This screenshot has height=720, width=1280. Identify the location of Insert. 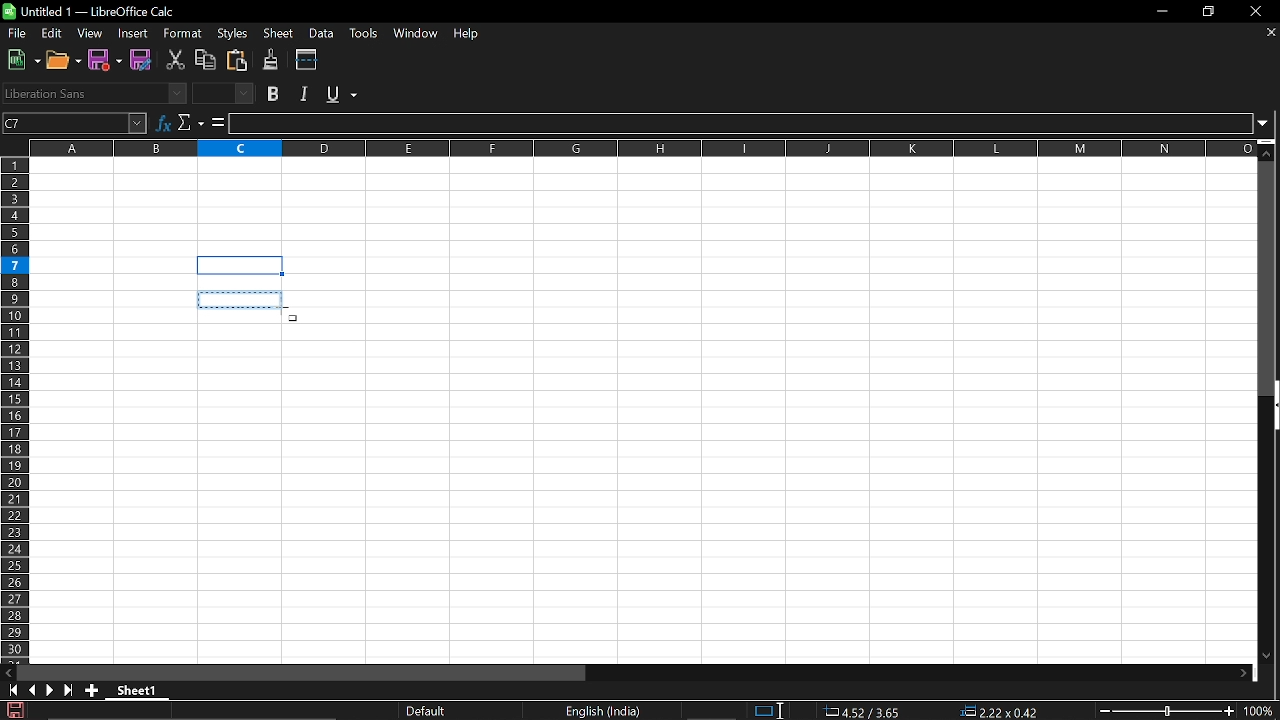
(130, 34).